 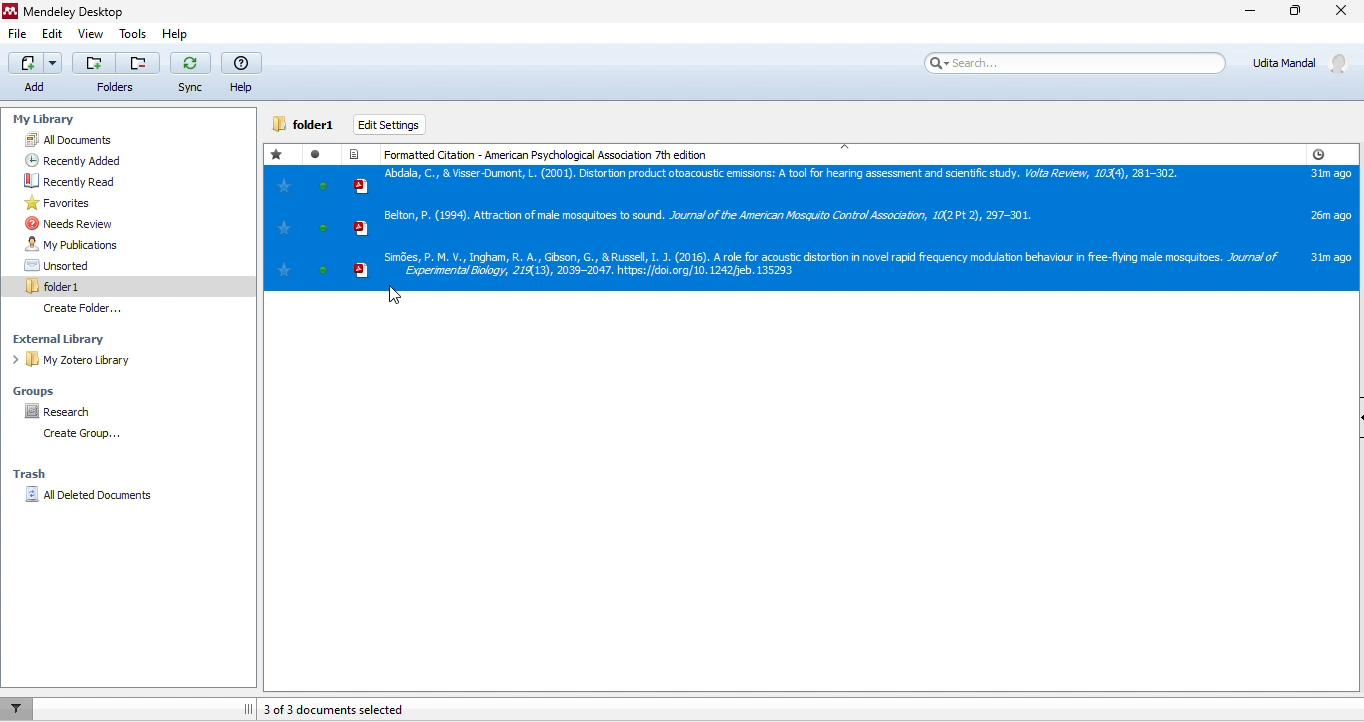 What do you see at coordinates (1318, 154) in the screenshot?
I see `added time` at bounding box center [1318, 154].